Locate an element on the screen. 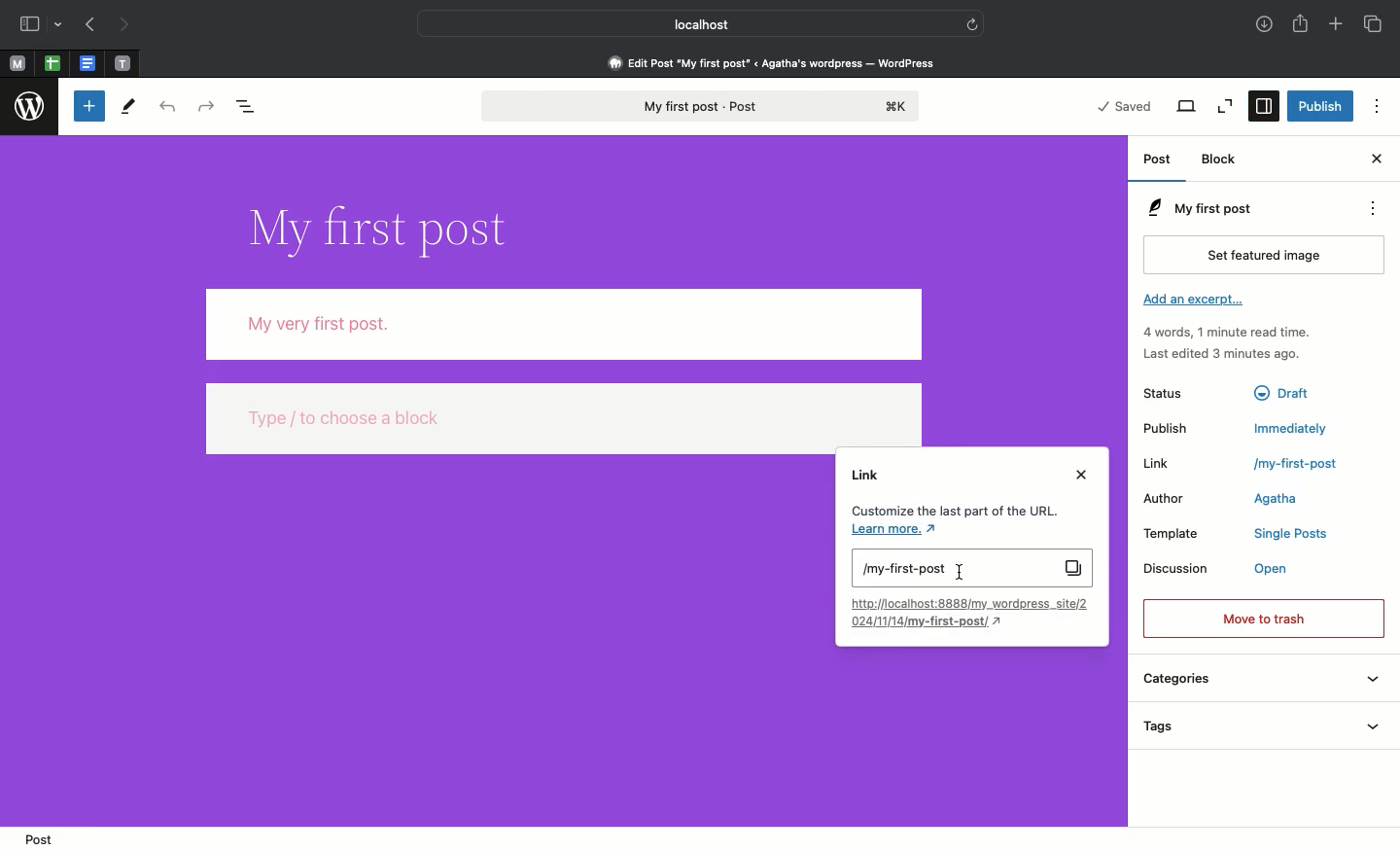  pinned tabs is located at coordinates (126, 64).